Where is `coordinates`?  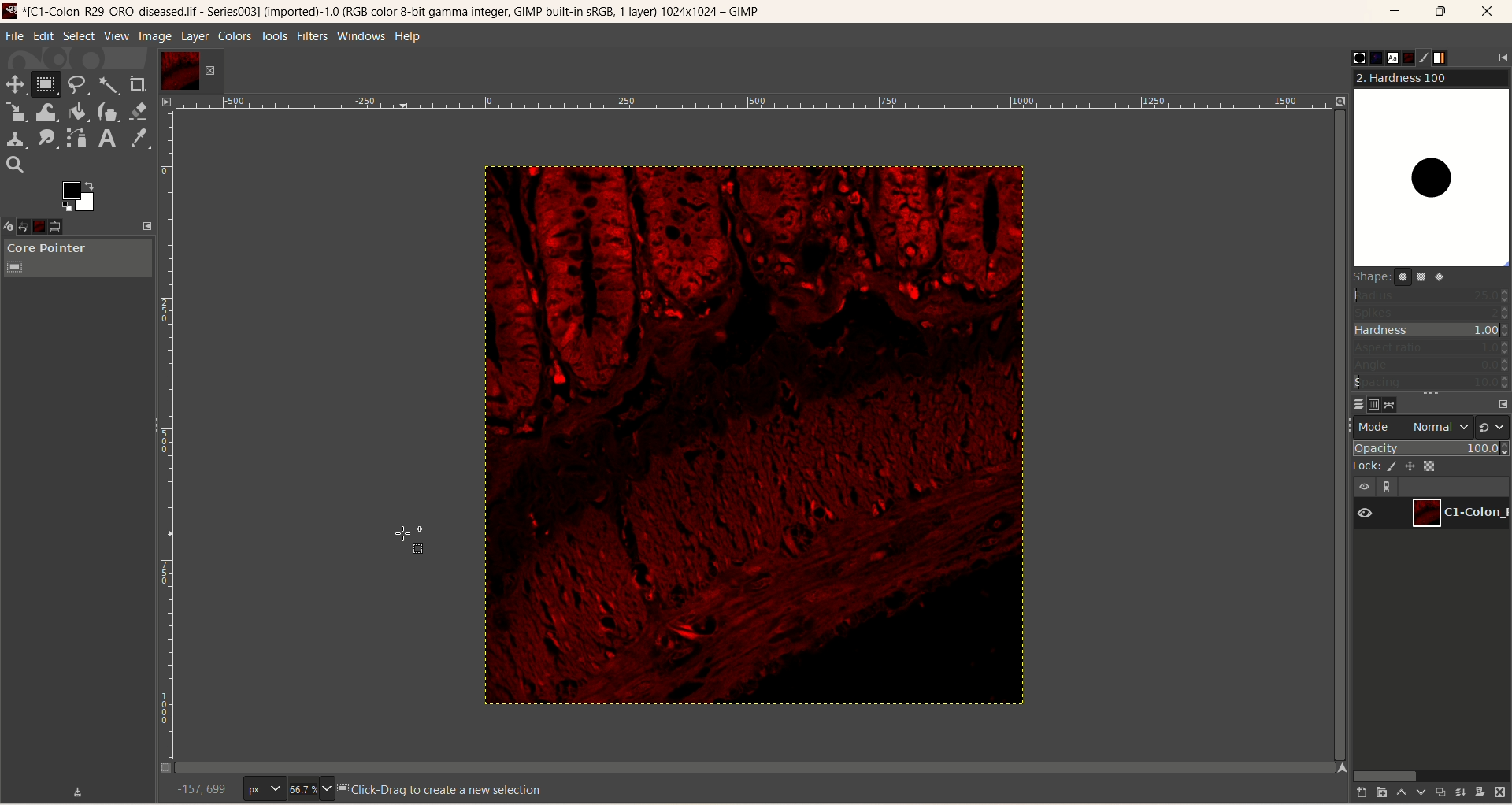
coordinates is located at coordinates (192, 789).